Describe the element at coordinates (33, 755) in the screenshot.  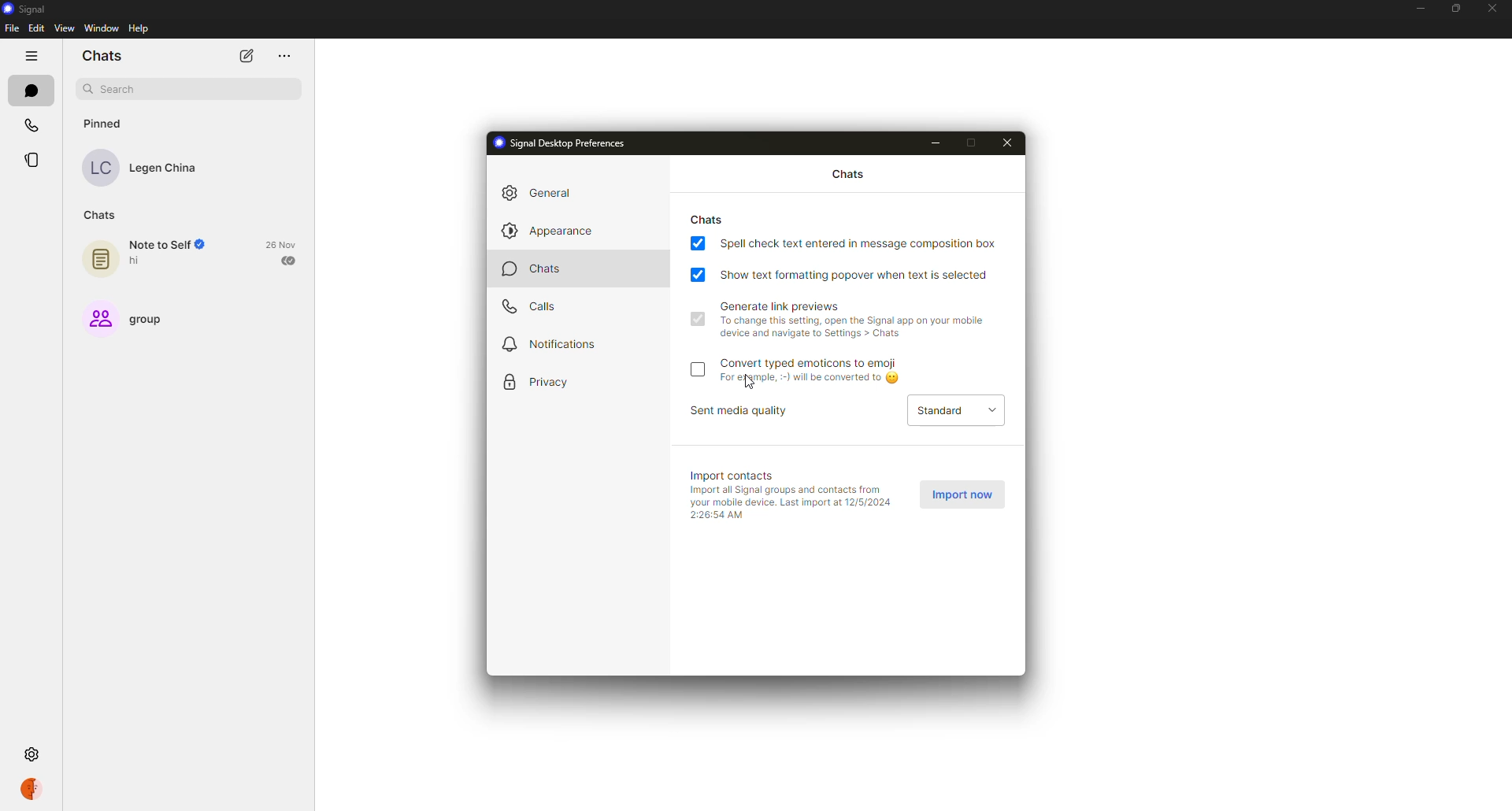
I see `settings` at that location.